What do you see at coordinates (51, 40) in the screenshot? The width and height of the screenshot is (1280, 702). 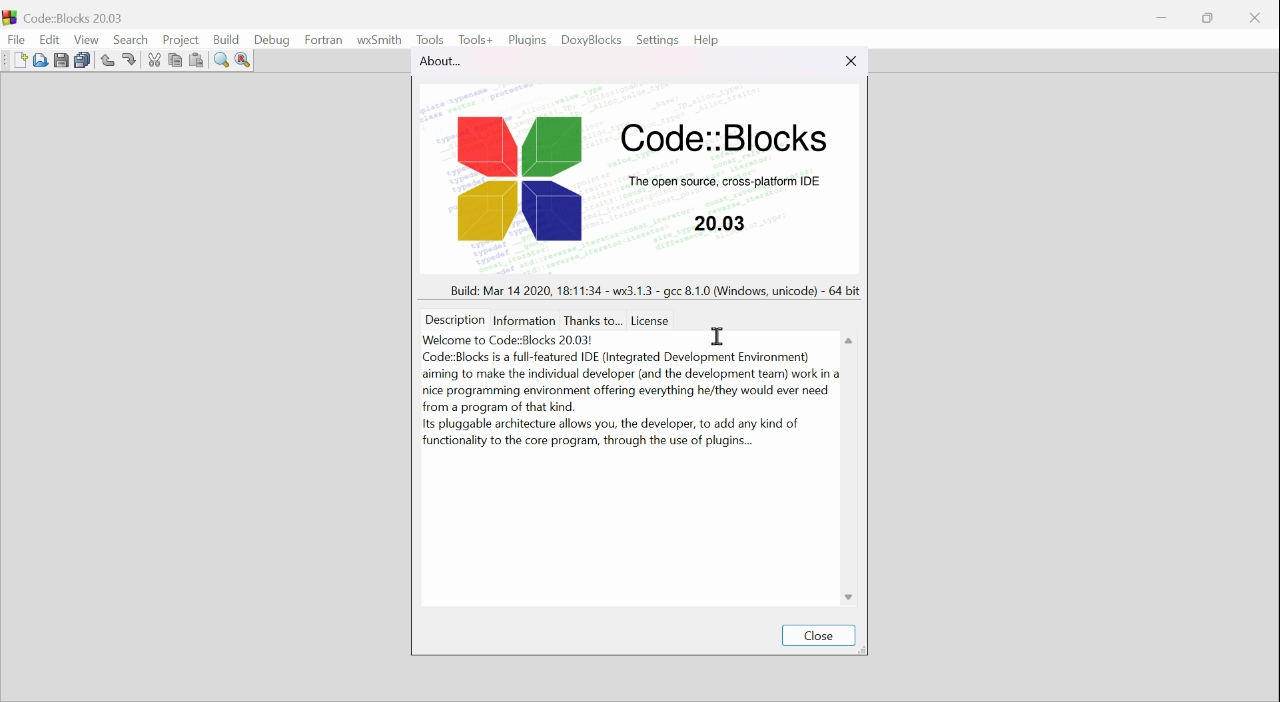 I see `edit` at bounding box center [51, 40].